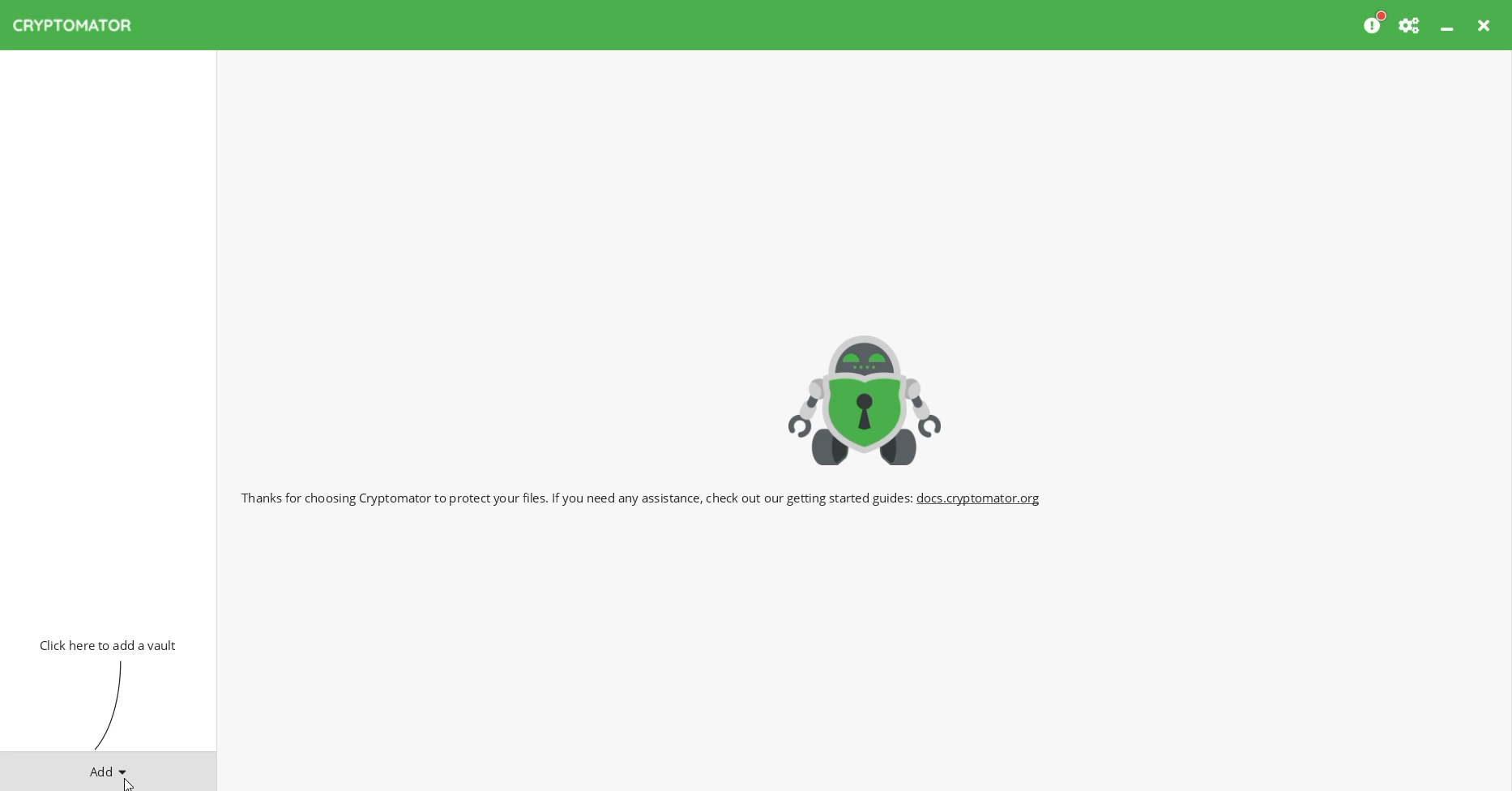 This screenshot has height=791, width=1512. Describe the element at coordinates (1486, 25) in the screenshot. I see `Close` at that location.